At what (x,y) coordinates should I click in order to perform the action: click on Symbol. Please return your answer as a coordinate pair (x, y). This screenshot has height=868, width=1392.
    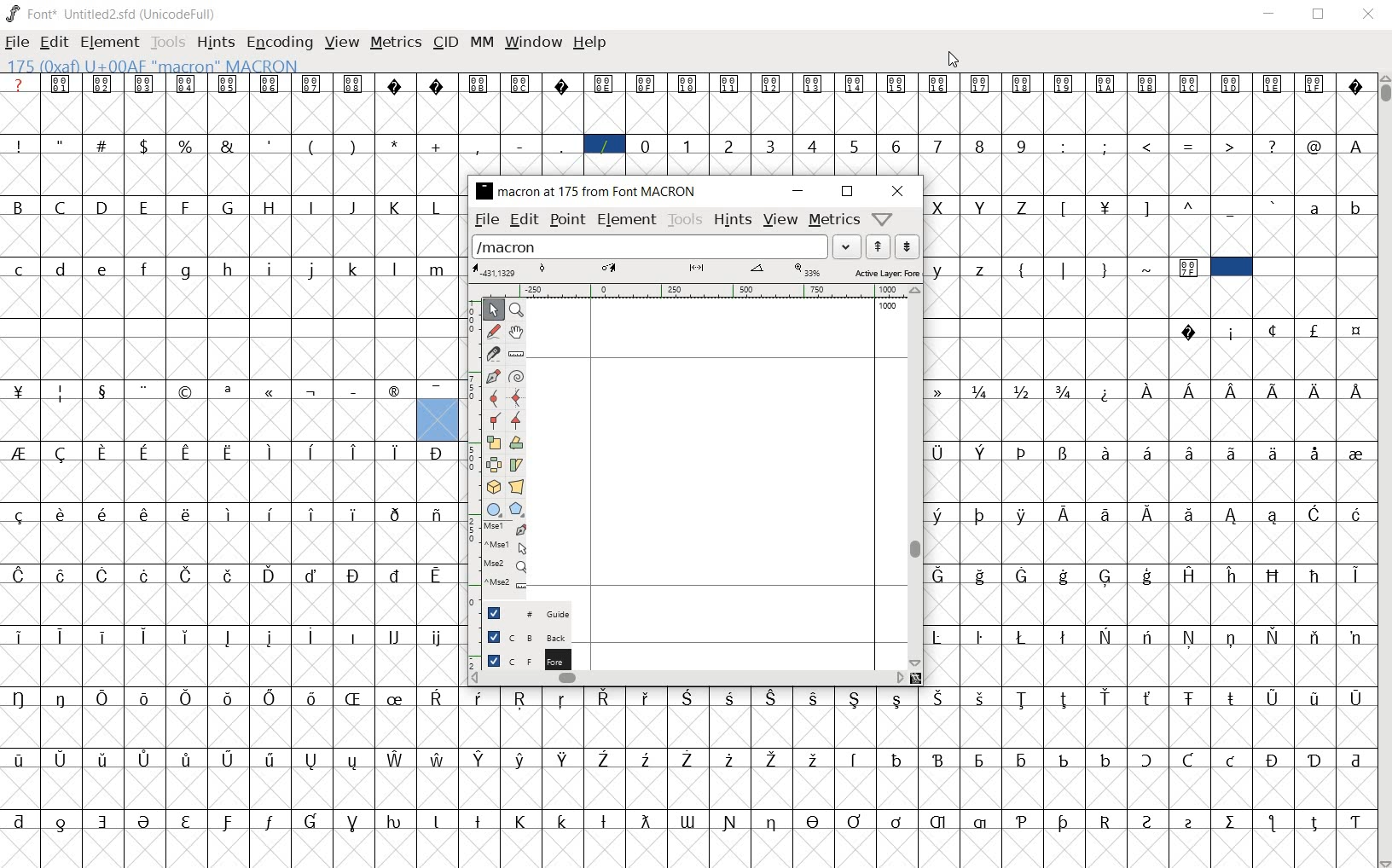
    Looking at the image, I should click on (105, 759).